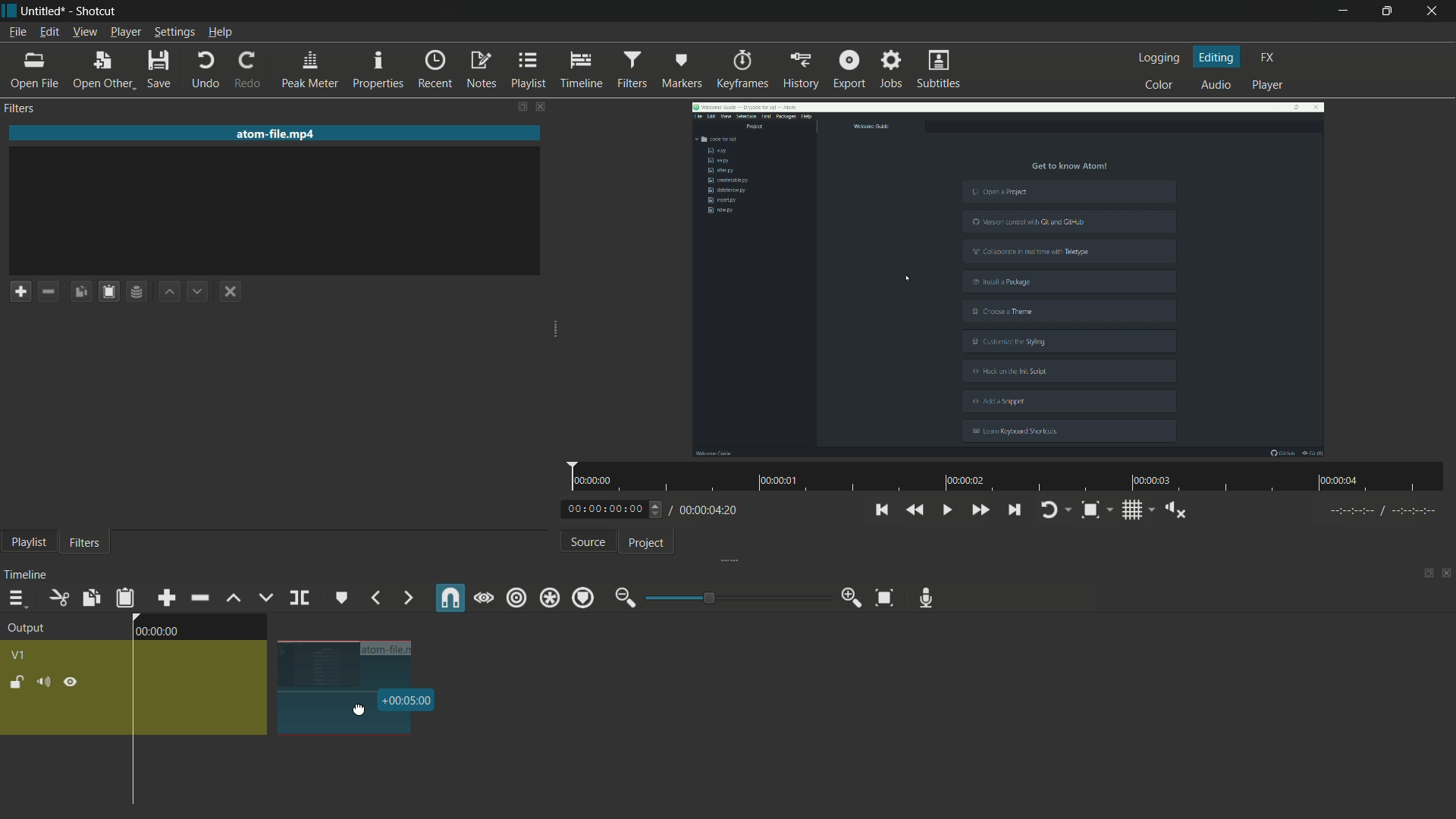 Image resolution: width=1456 pixels, height=819 pixels. I want to click on ripple, so click(516, 598).